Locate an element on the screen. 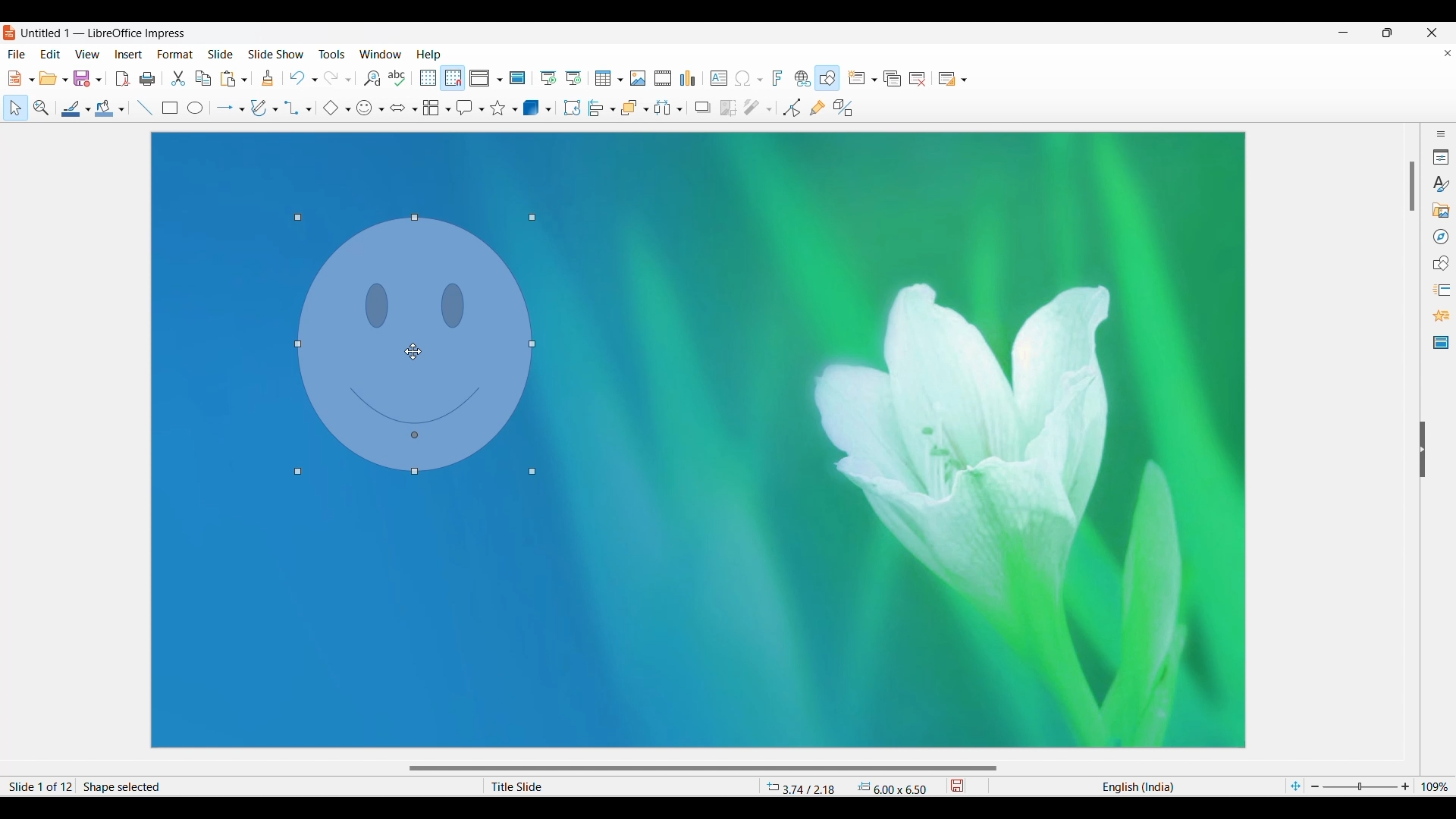  Paste is located at coordinates (228, 80).